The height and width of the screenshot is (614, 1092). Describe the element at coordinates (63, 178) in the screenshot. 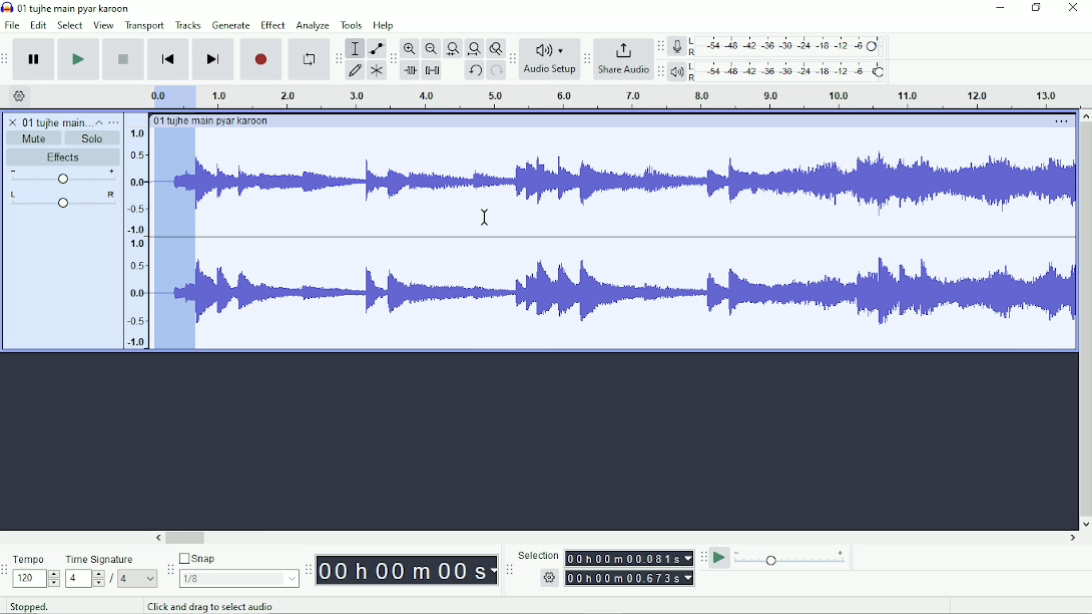

I see `Volume` at that location.